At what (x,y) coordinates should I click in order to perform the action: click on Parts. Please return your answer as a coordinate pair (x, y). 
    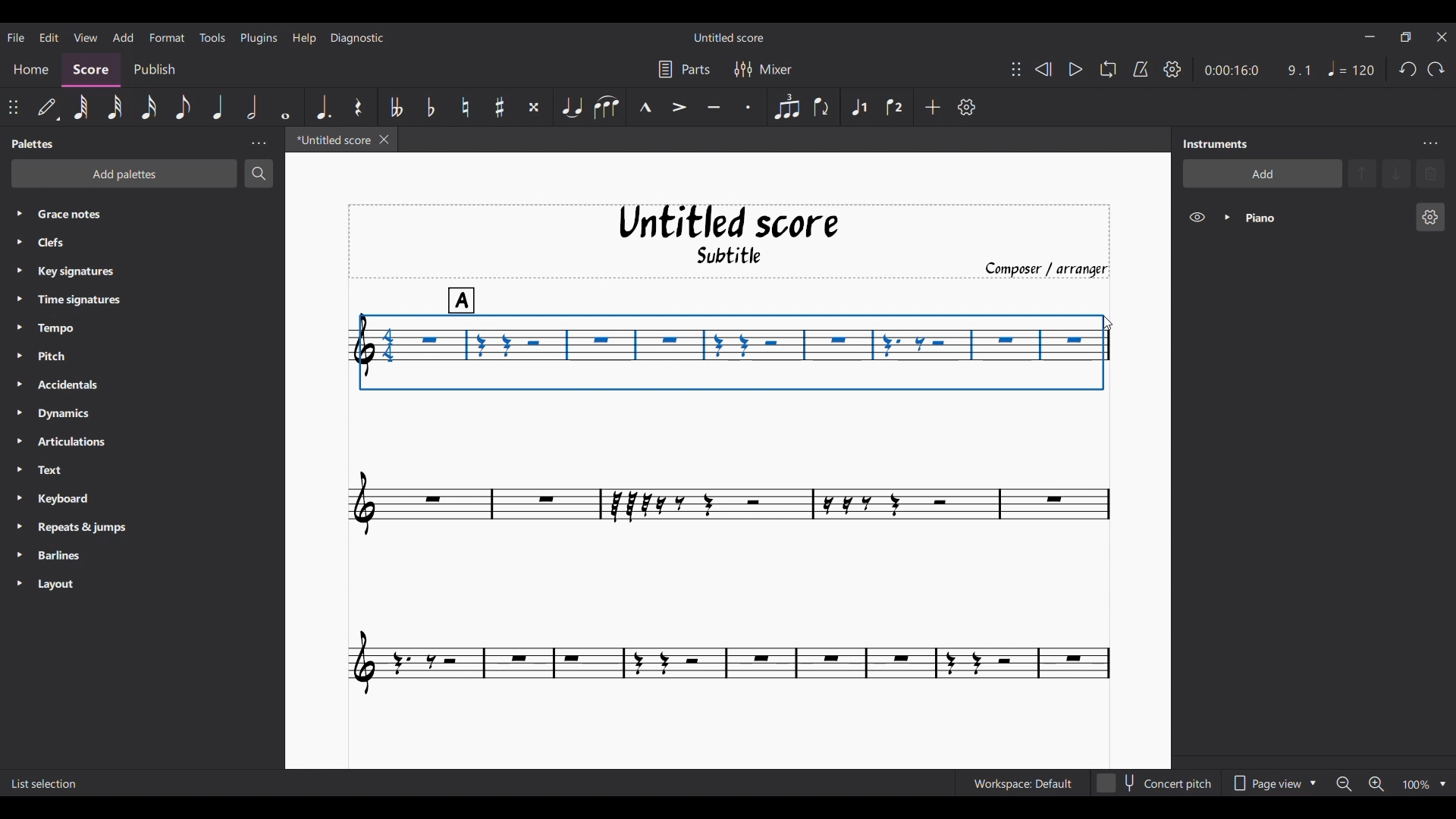
    Looking at the image, I should click on (684, 69).